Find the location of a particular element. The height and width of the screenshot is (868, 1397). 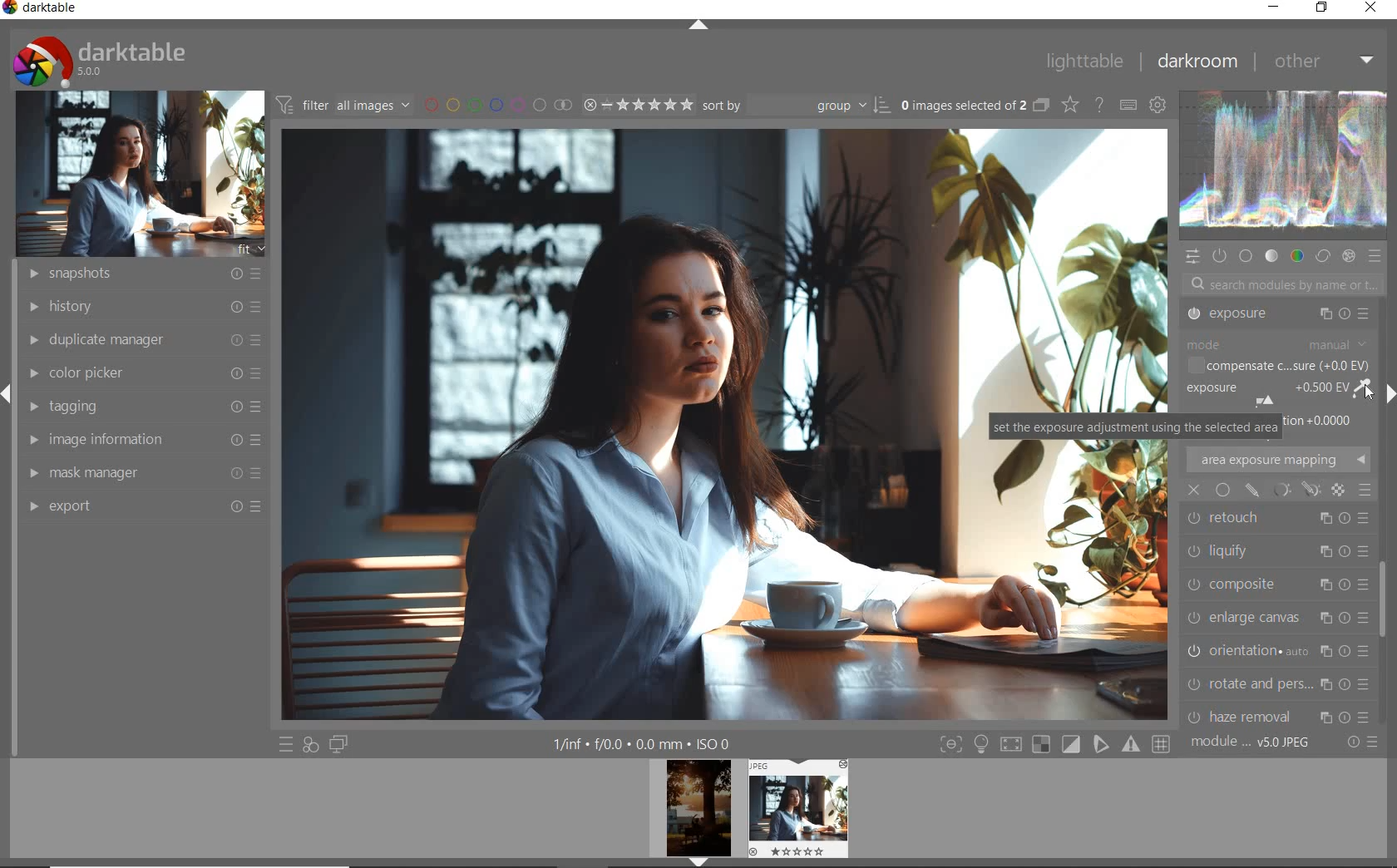

MINIMIZE is located at coordinates (1271, 7).